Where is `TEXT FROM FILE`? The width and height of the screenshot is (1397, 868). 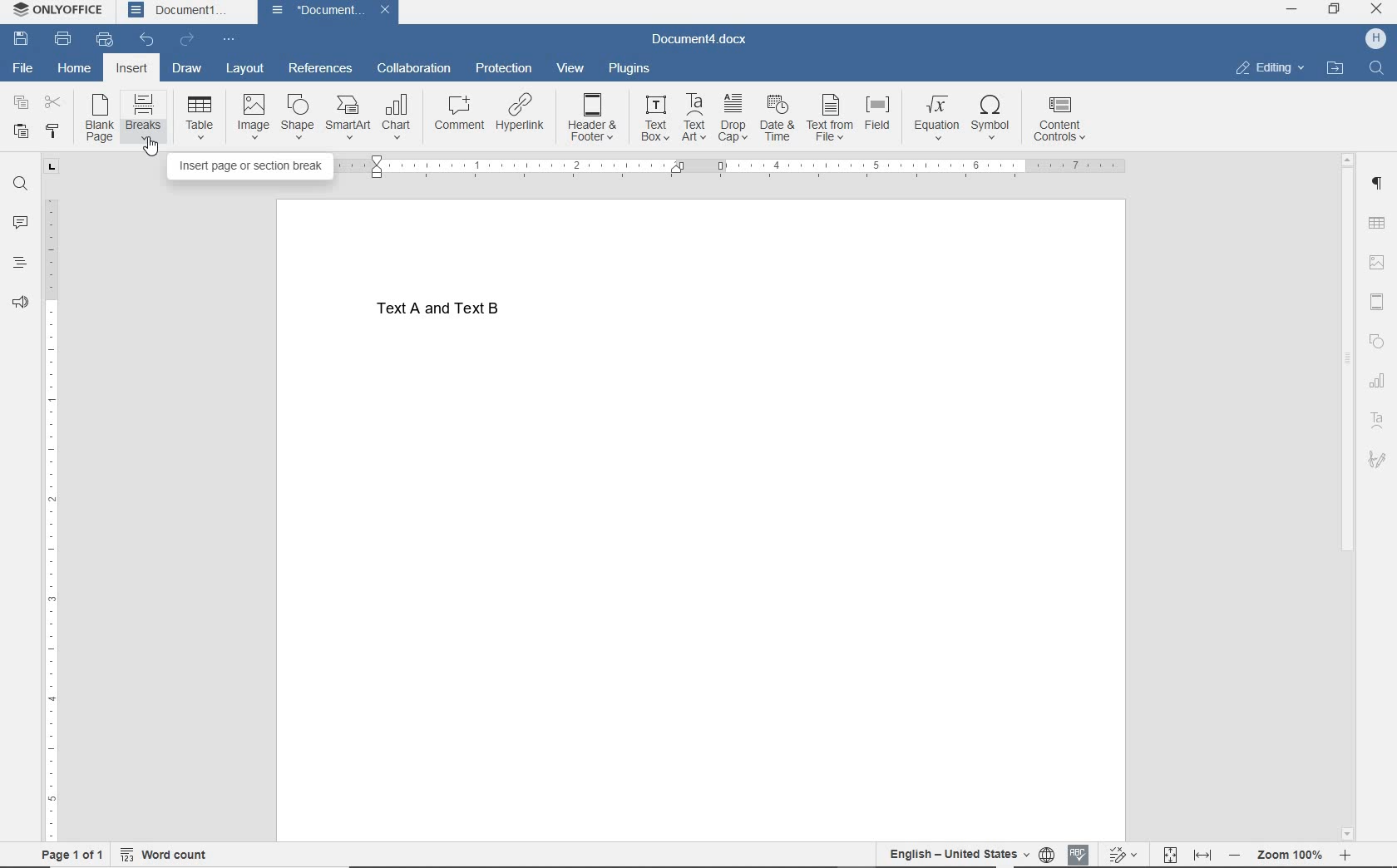 TEXT FROM FILE is located at coordinates (830, 123).